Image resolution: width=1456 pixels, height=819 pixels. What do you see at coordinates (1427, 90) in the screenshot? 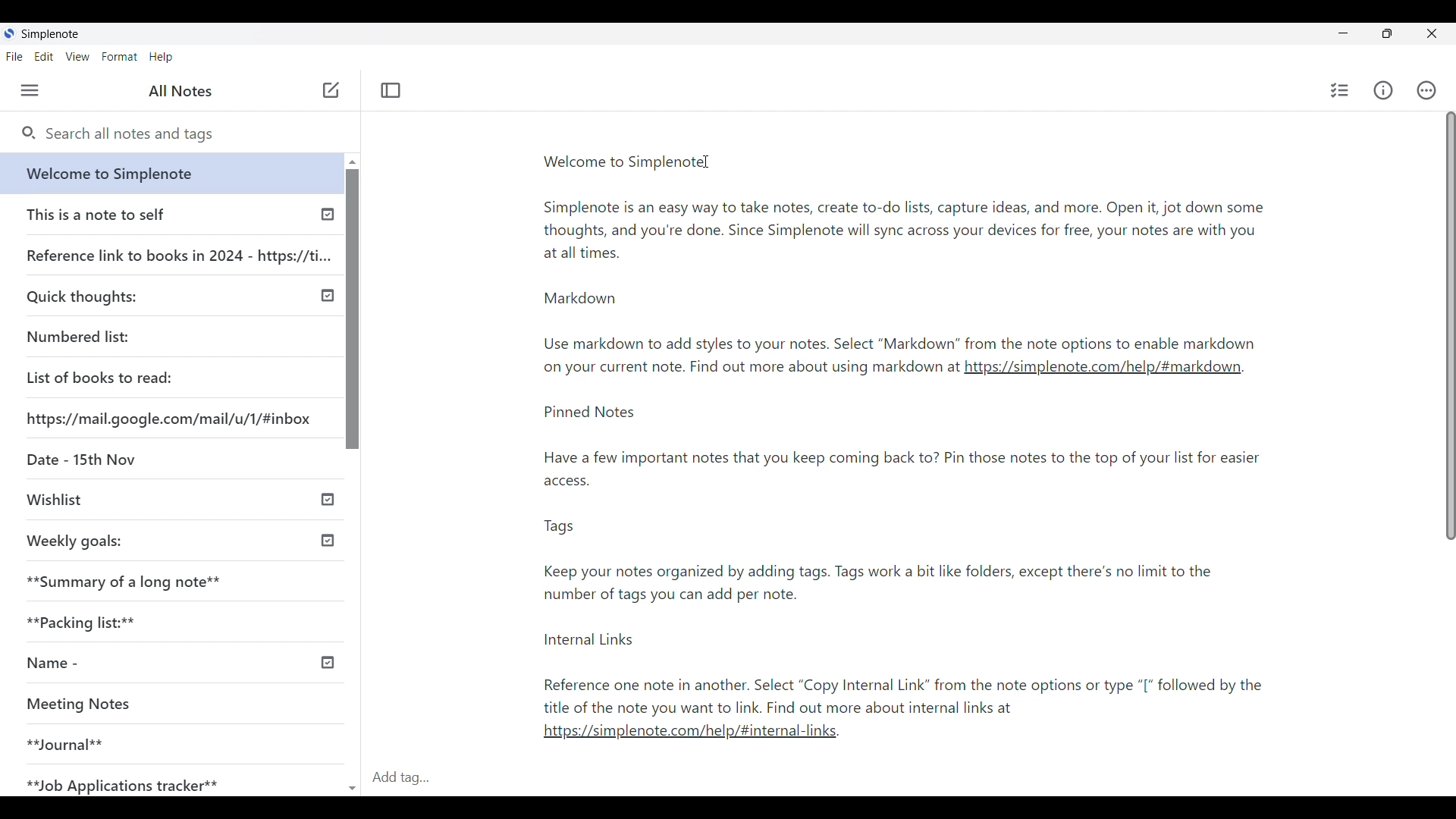
I see `Actions` at bounding box center [1427, 90].